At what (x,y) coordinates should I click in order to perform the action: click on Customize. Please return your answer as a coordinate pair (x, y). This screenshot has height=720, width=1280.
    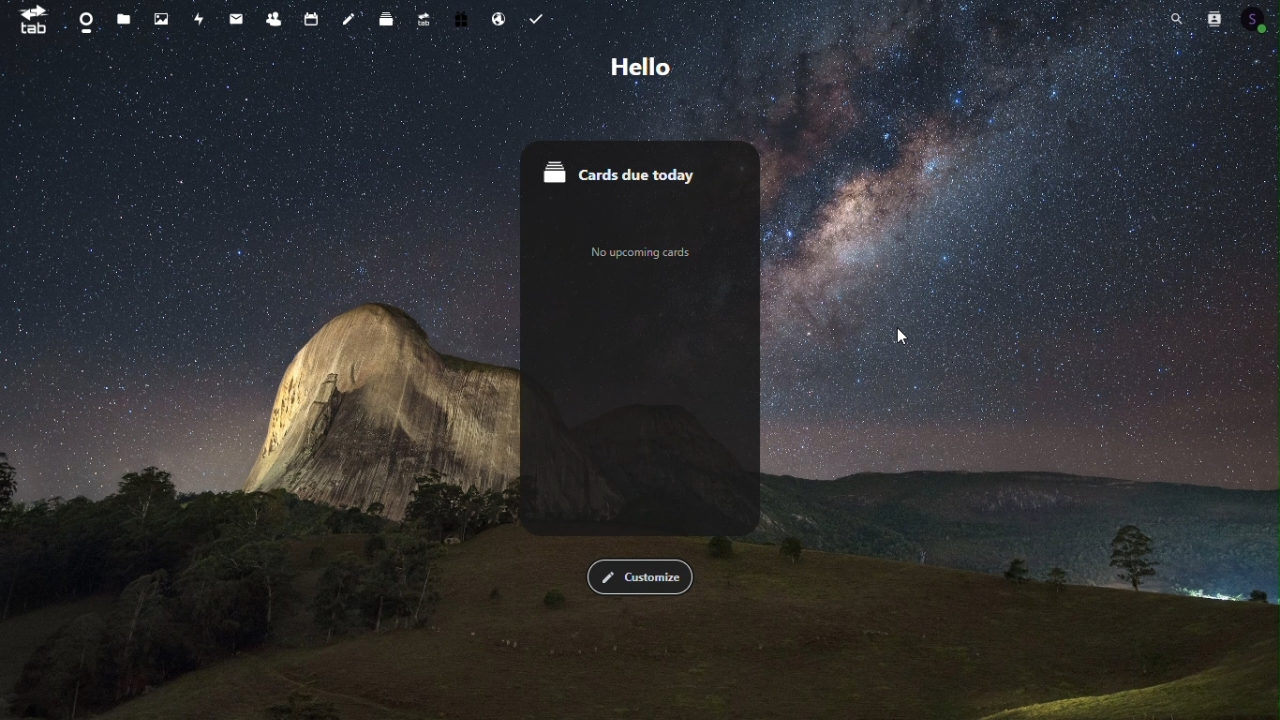
    Looking at the image, I should click on (637, 577).